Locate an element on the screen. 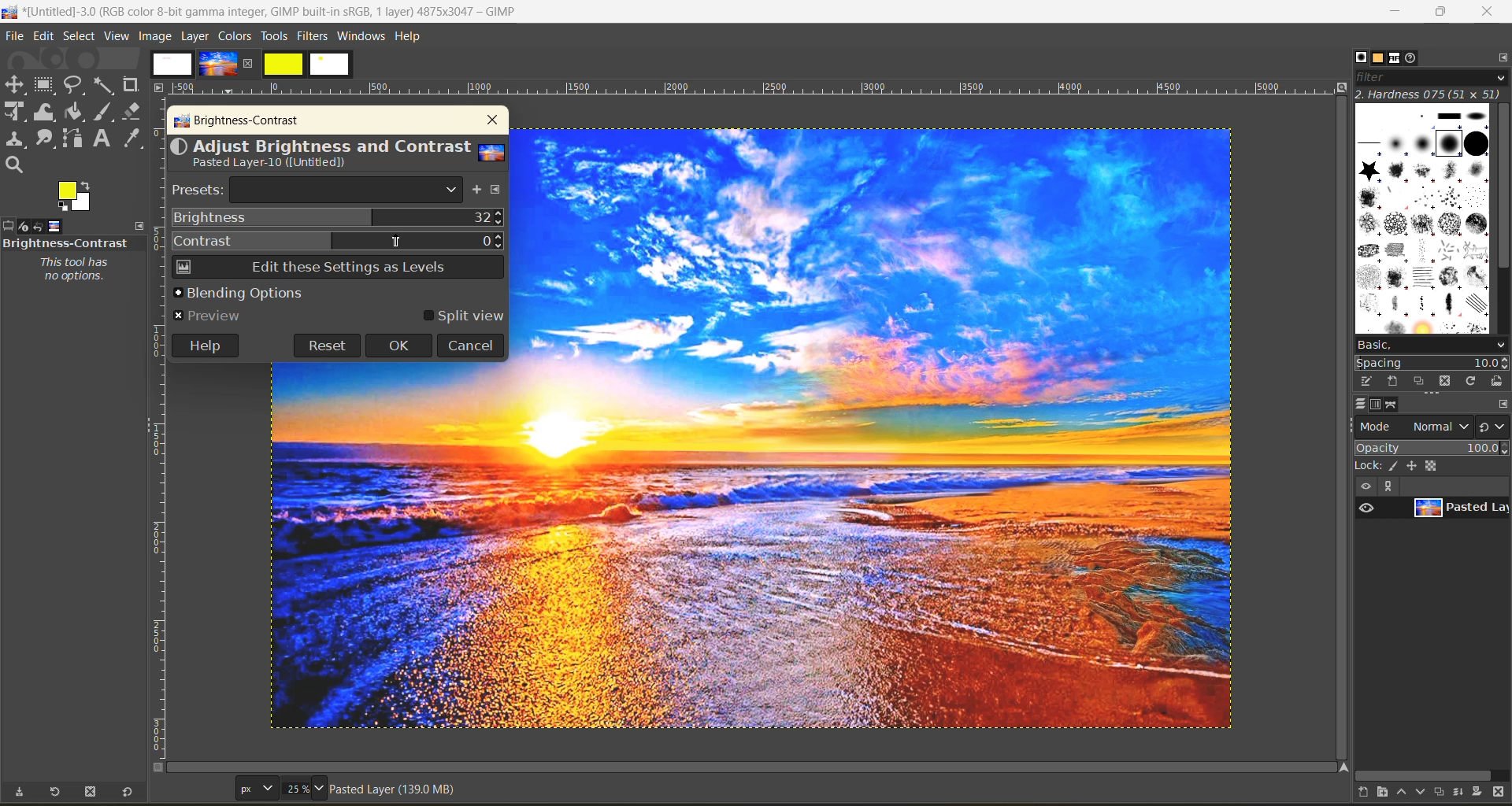 The height and width of the screenshot is (806, 1512). document history is located at coordinates (1414, 57).